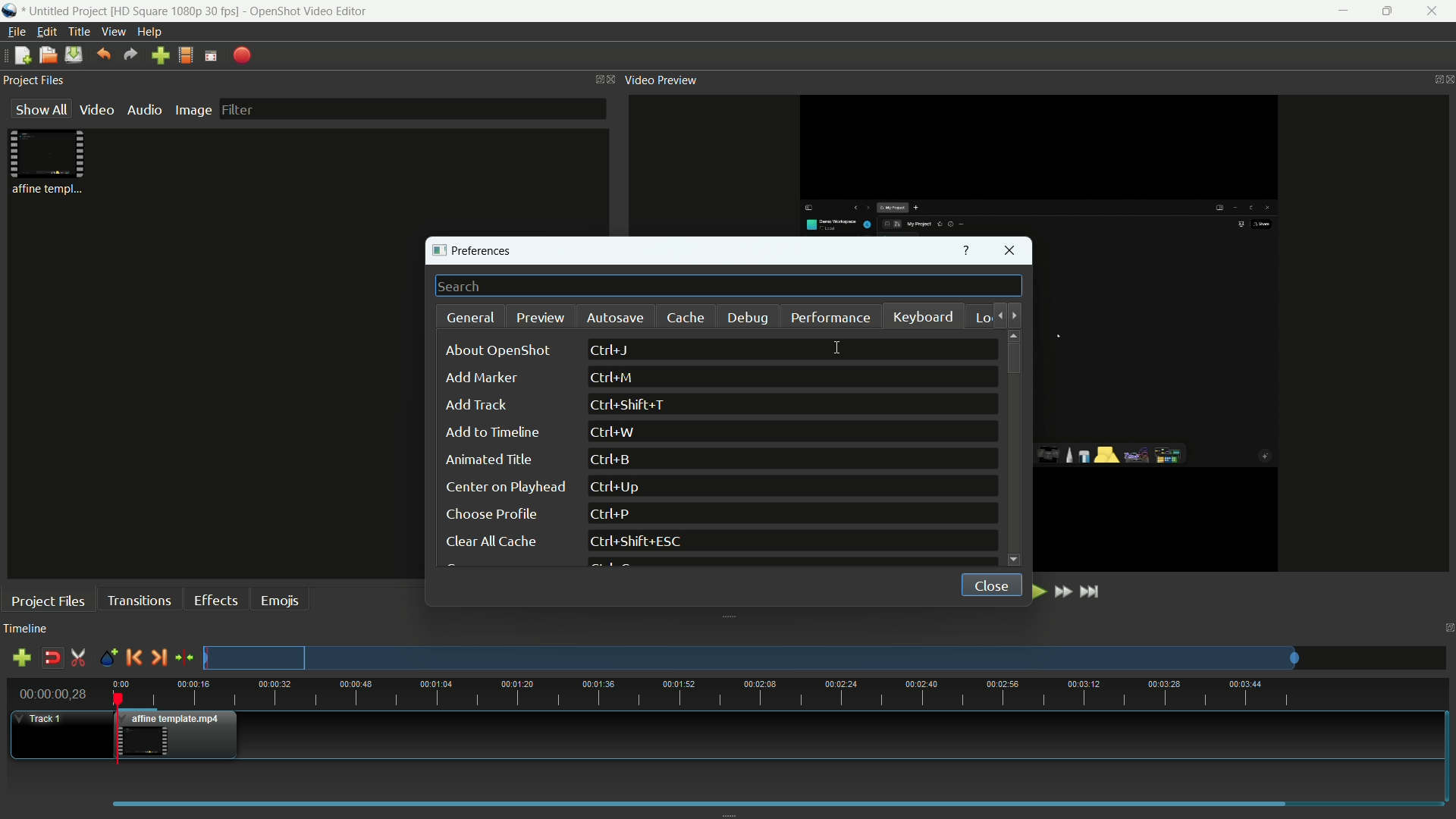 This screenshot has height=819, width=1456. What do you see at coordinates (472, 318) in the screenshot?
I see `general` at bounding box center [472, 318].